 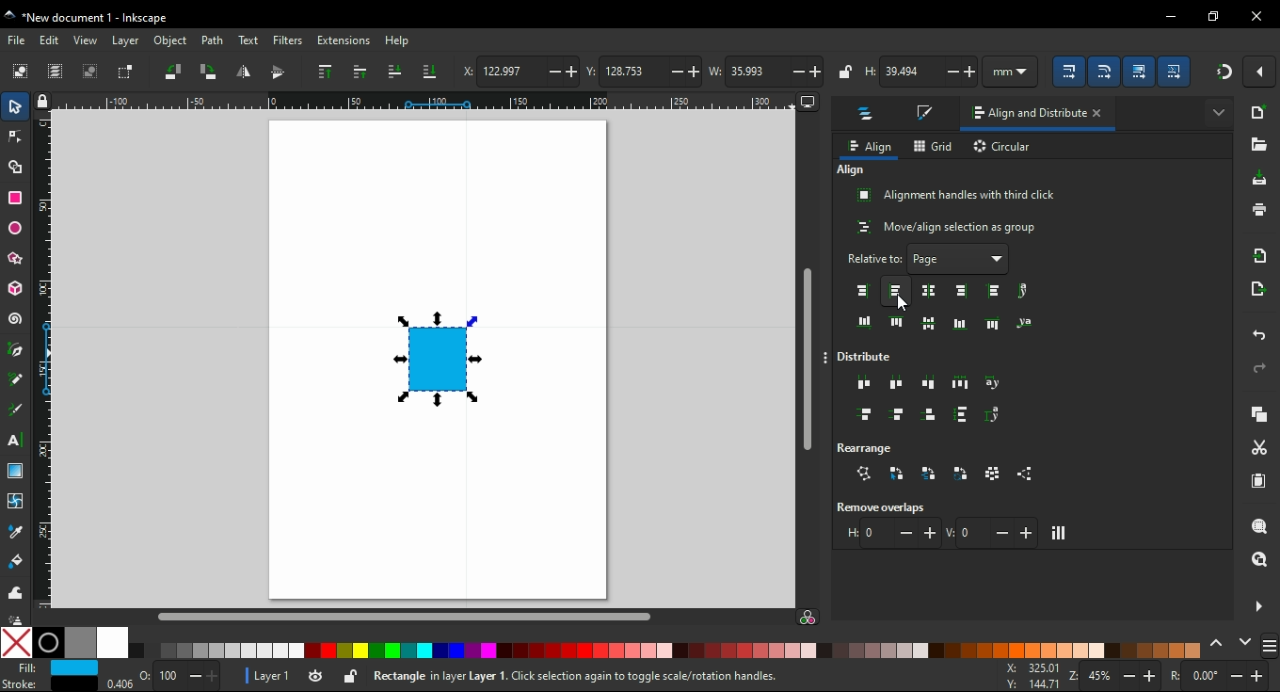 I want to click on extensions, so click(x=345, y=41).